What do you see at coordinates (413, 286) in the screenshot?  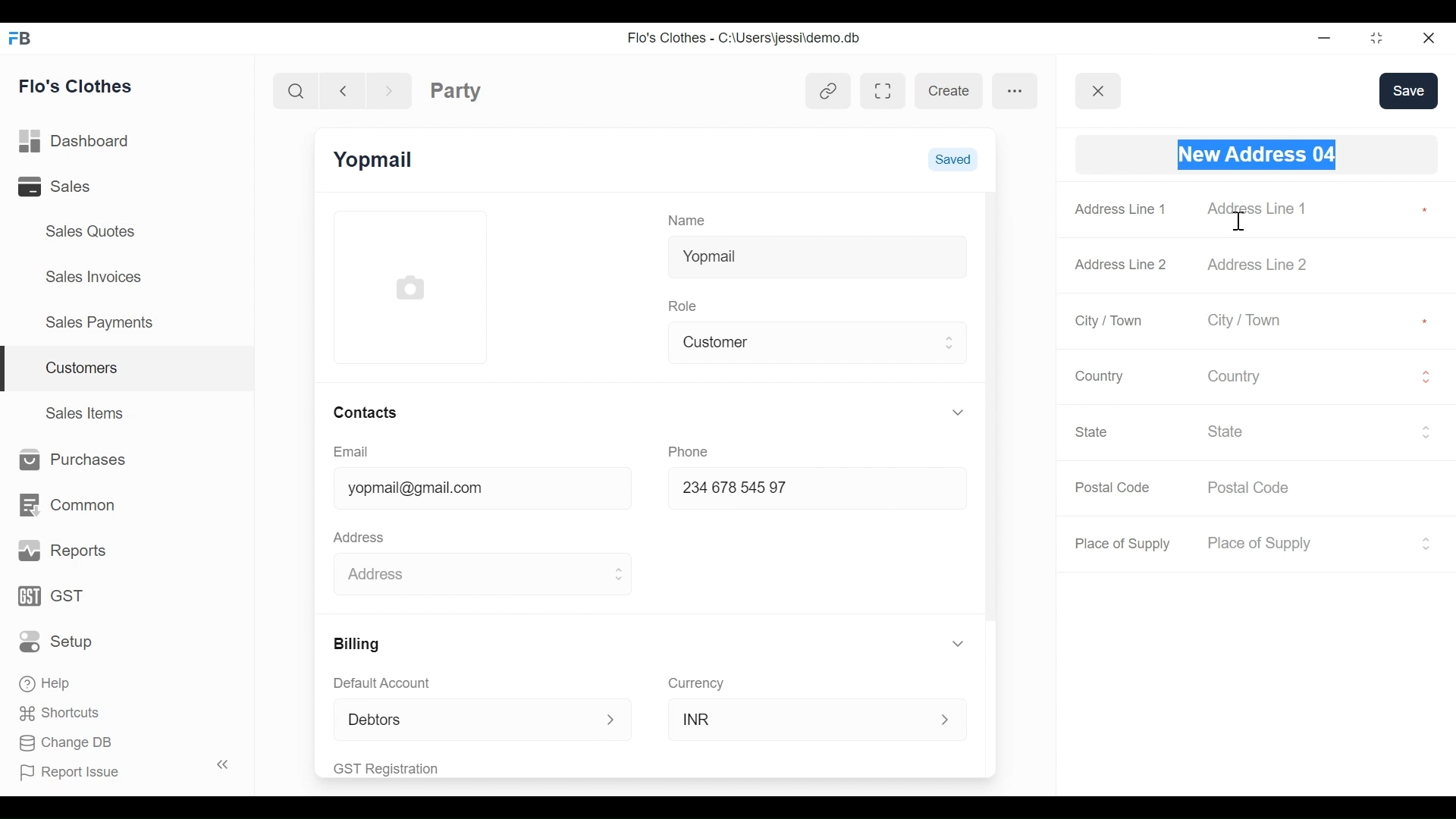 I see `Profile Picture` at bounding box center [413, 286].